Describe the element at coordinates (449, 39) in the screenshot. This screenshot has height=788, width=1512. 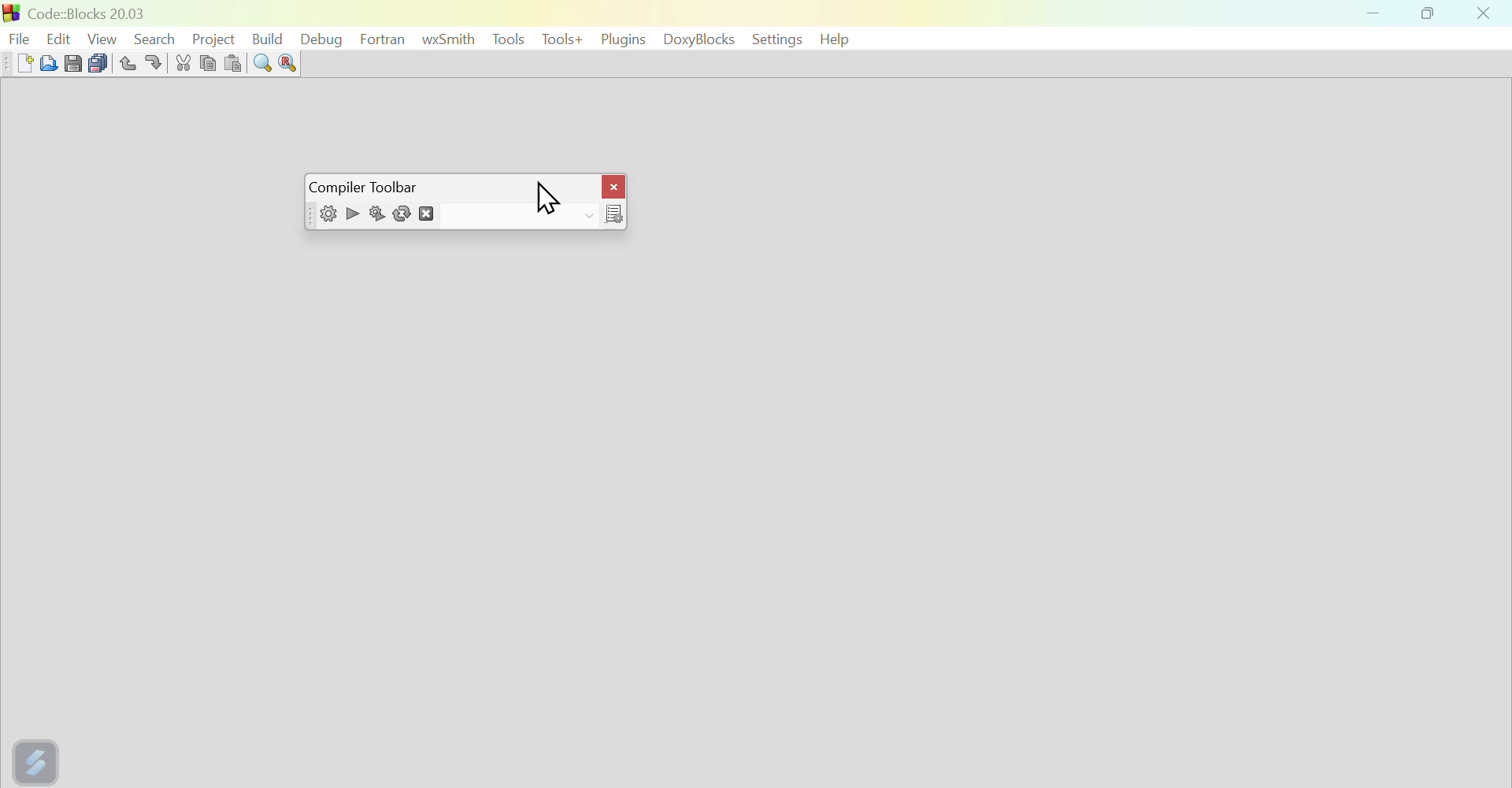
I see `WX Smith` at that location.